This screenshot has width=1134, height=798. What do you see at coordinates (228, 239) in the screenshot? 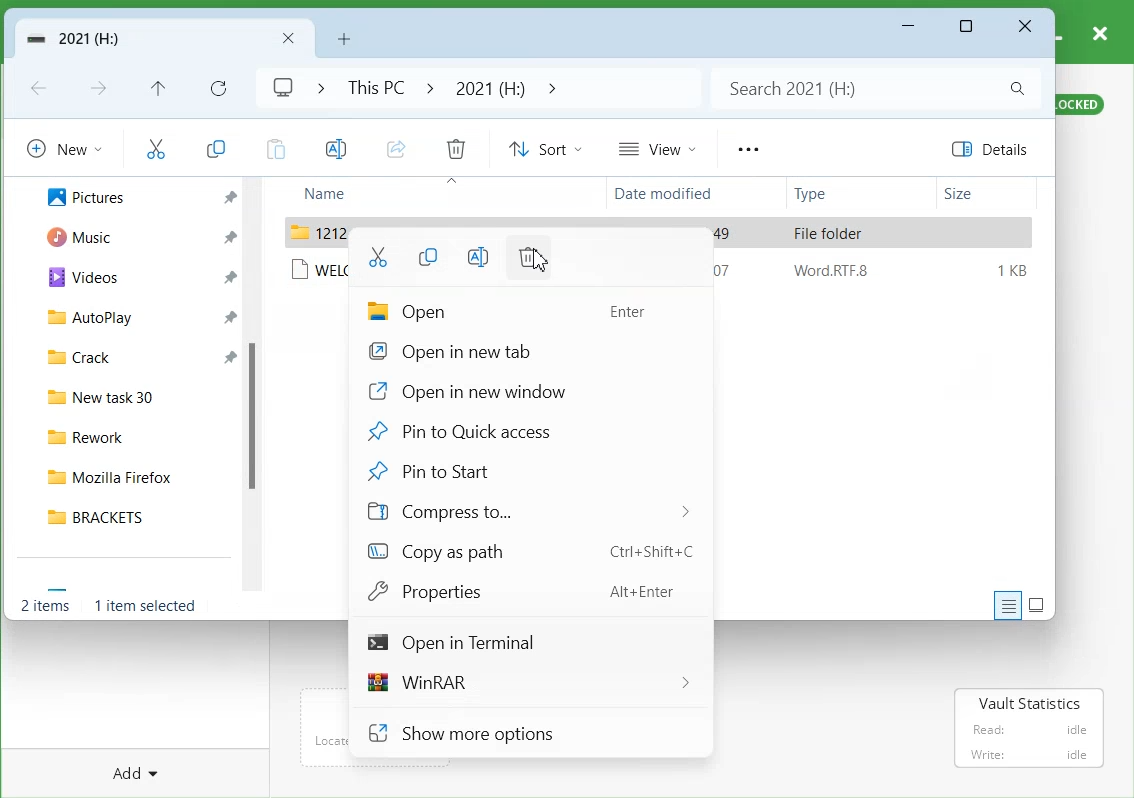
I see `Pin a file` at bounding box center [228, 239].